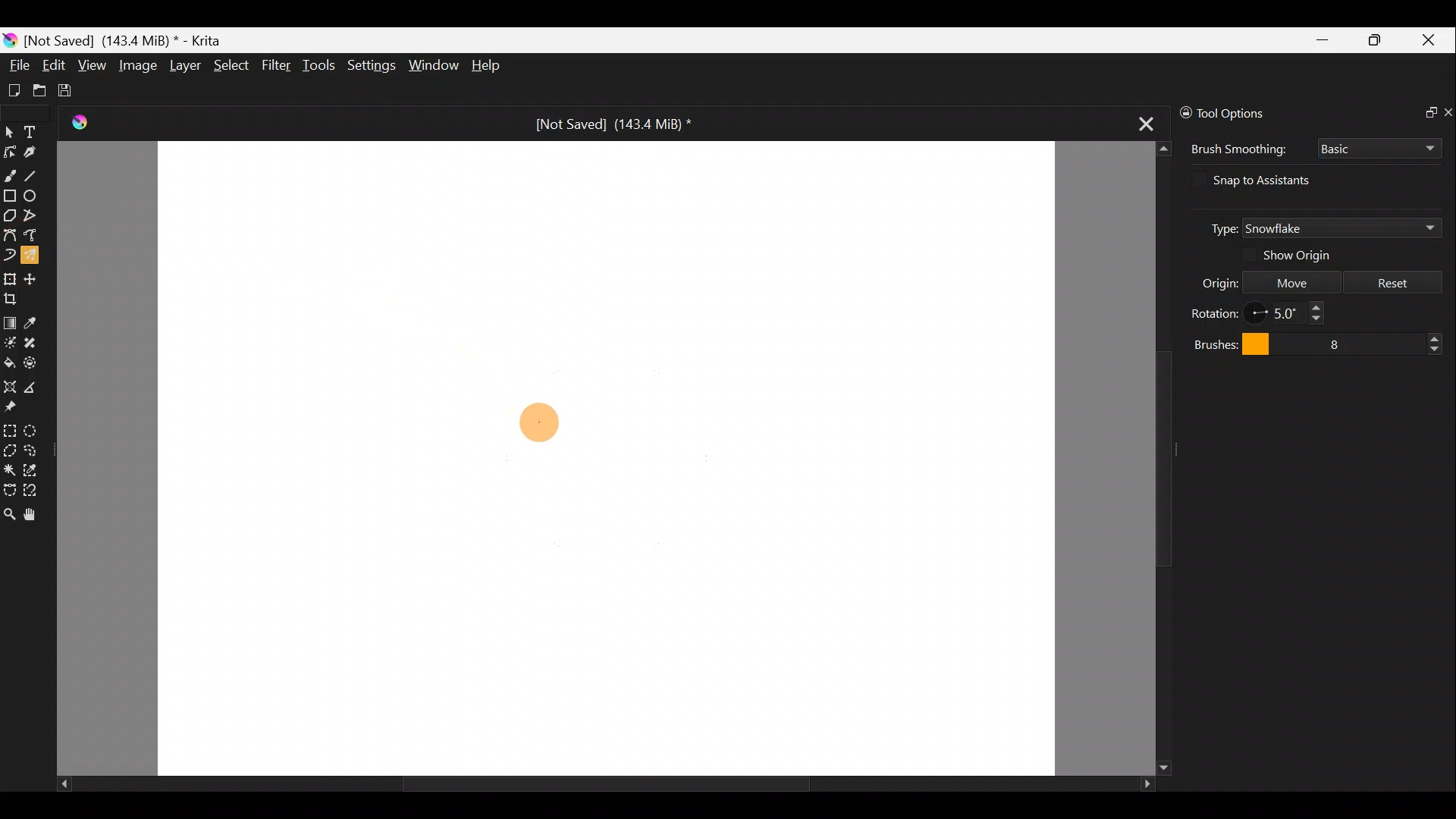 This screenshot has height=819, width=1456. I want to click on File, so click(14, 67).